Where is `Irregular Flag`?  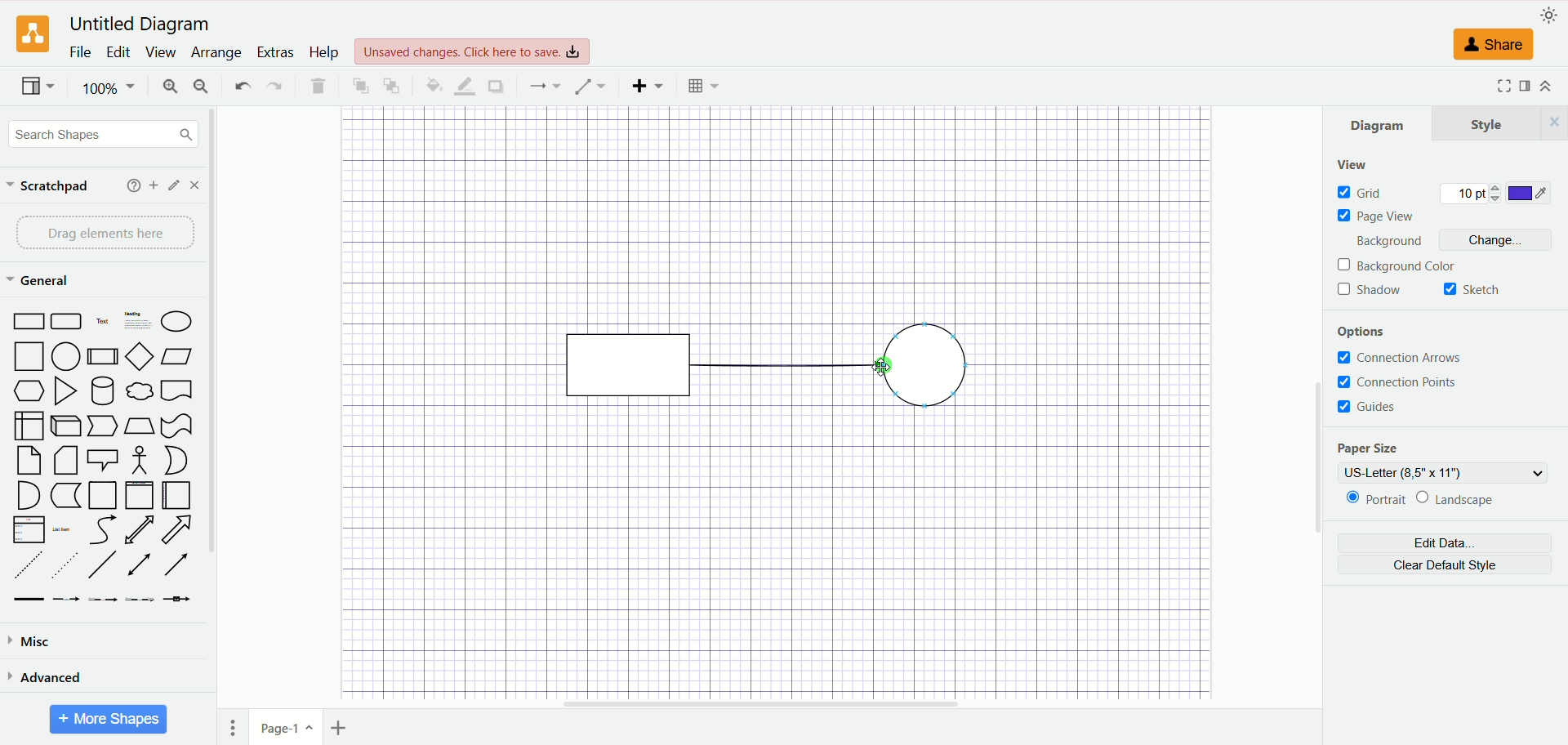
Irregular Flag is located at coordinates (177, 426).